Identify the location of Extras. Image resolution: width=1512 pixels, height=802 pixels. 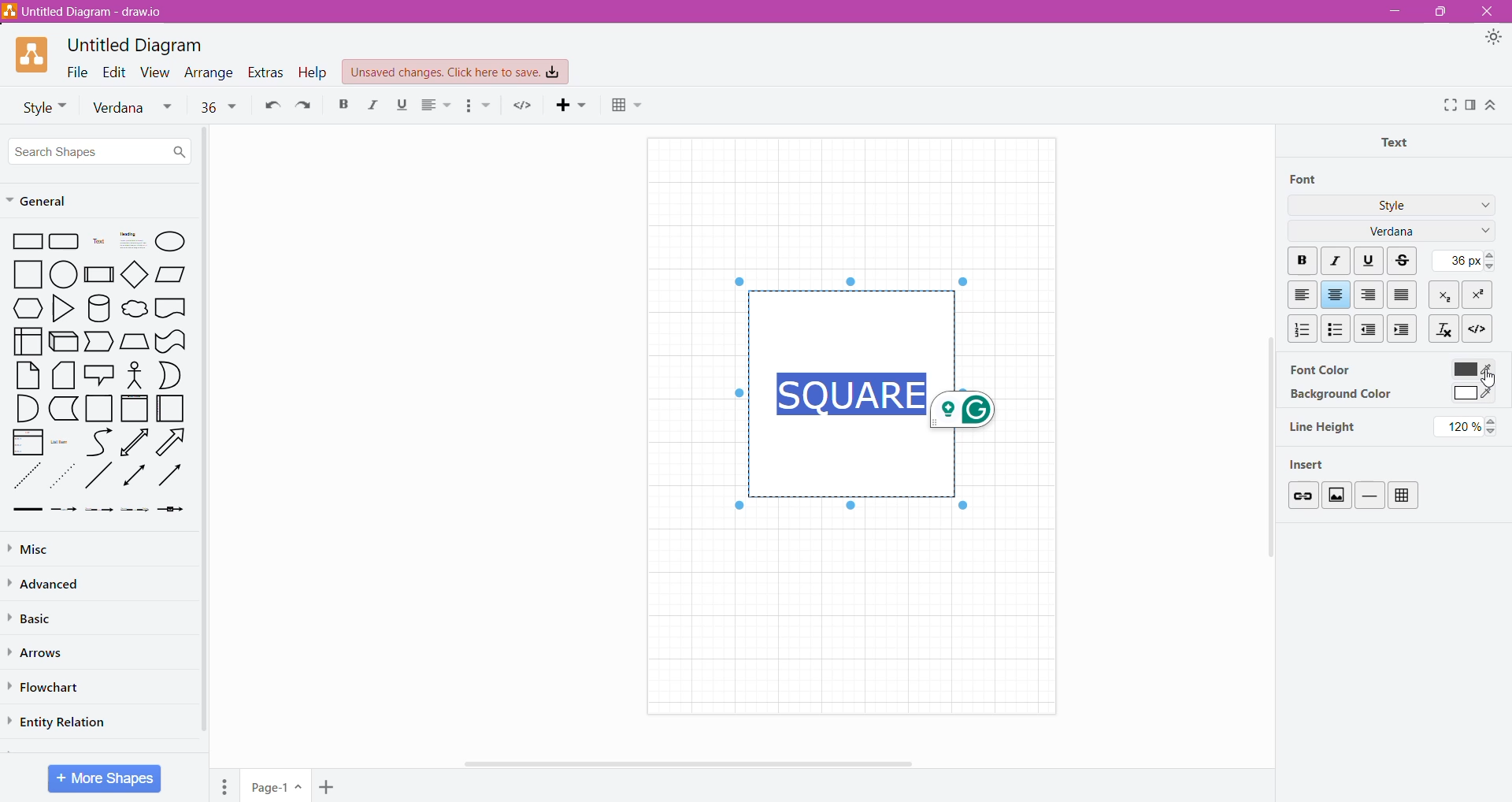
(265, 72).